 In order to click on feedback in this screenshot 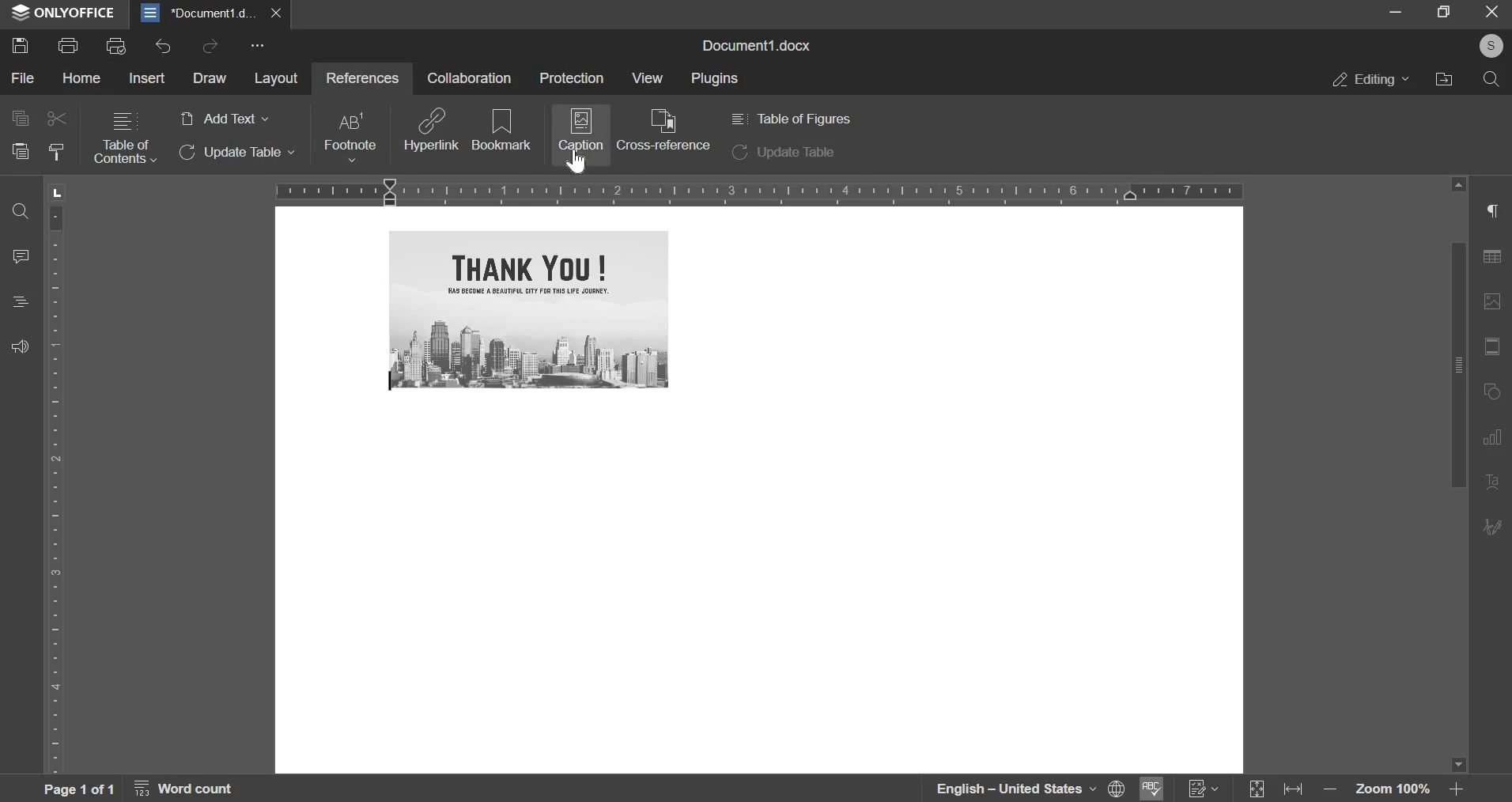, I will do `click(20, 346)`.